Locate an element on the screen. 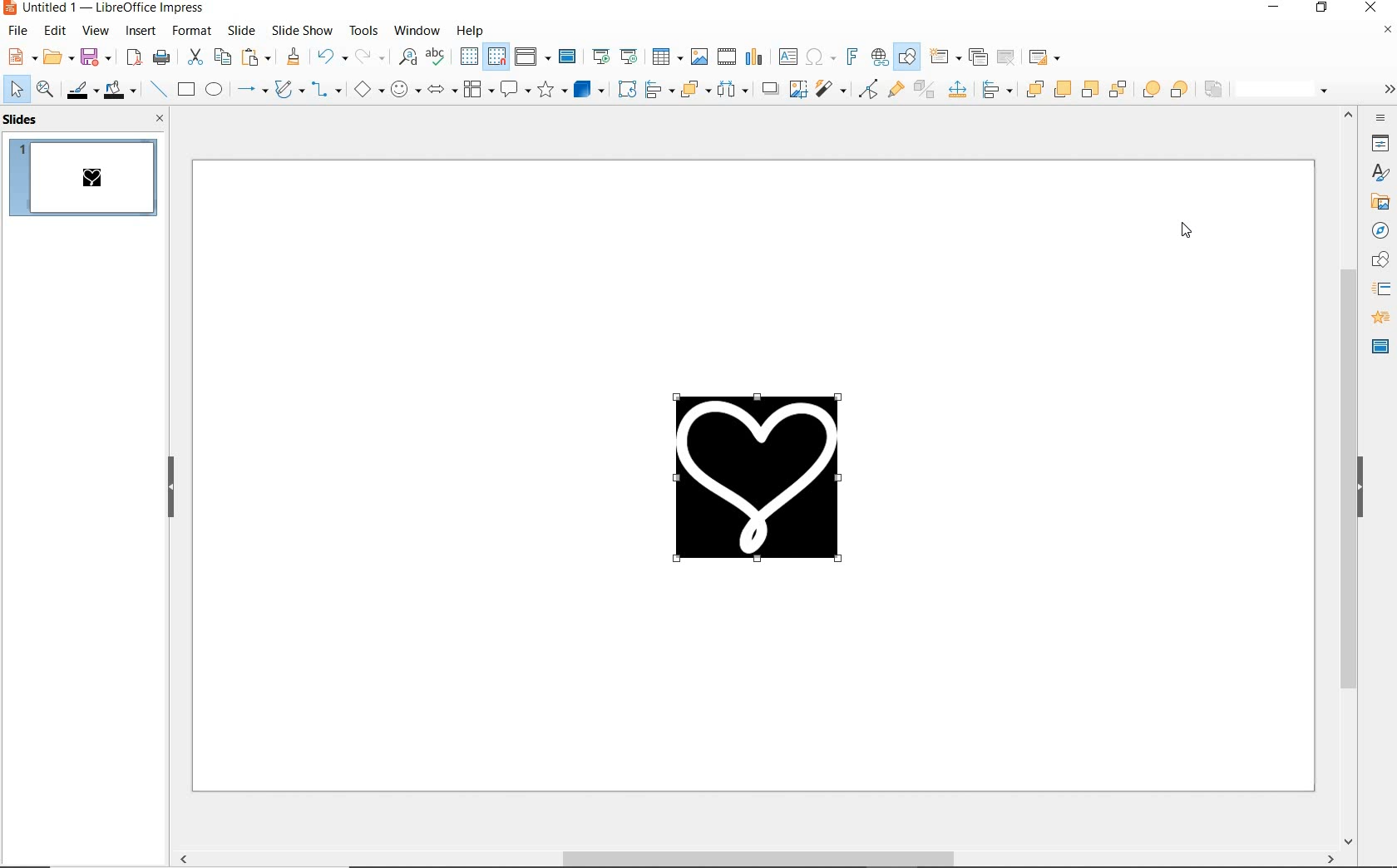 This screenshot has height=868, width=1397. insert line is located at coordinates (157, 90).